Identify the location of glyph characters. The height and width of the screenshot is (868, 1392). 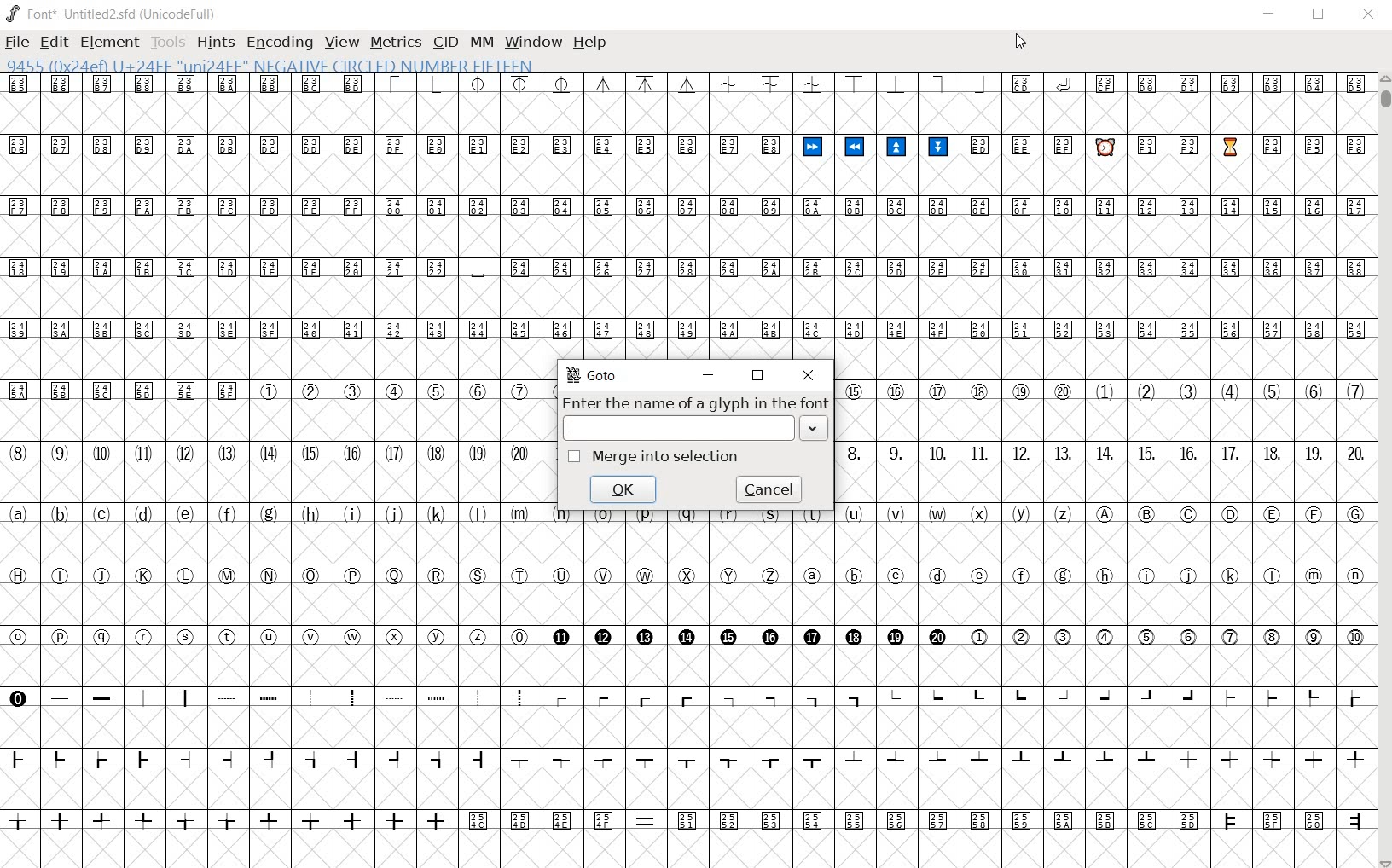
(1102, 472).